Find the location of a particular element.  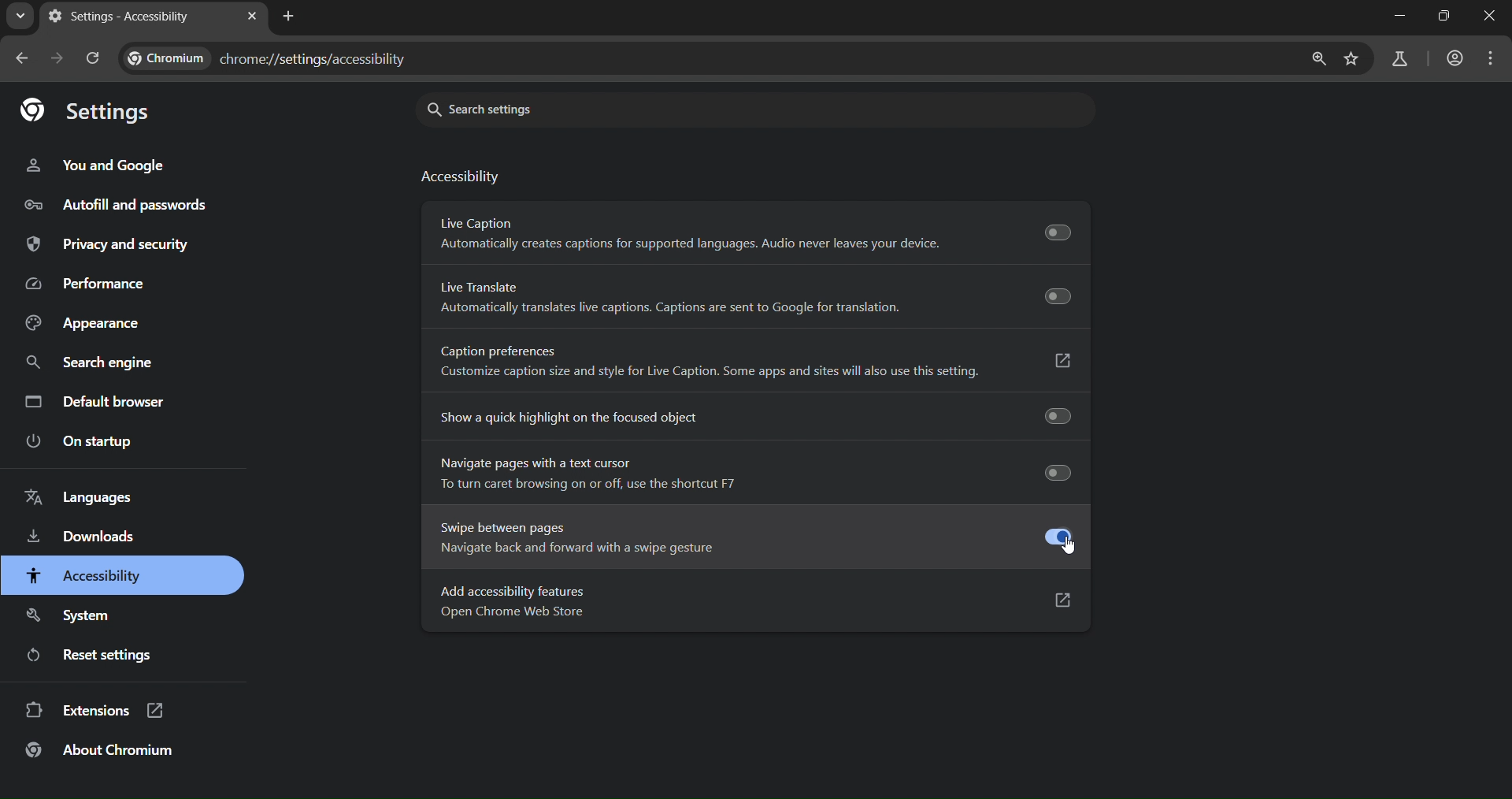

accessiblity is located at coordinates (84, 576).